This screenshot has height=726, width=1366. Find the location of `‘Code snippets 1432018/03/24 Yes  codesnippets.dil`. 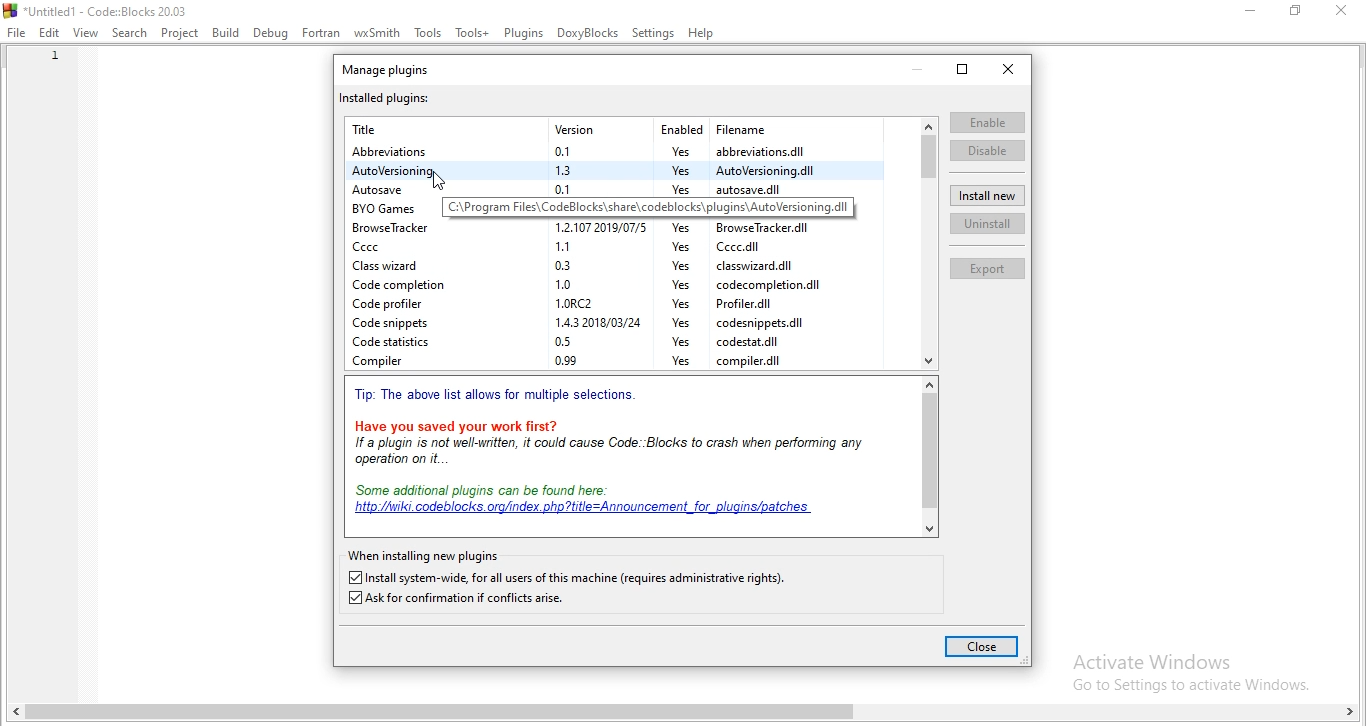

‘Code snippets 1432018/03/24 Yes  codesnippets.dil is located at coordinates (585, 324).